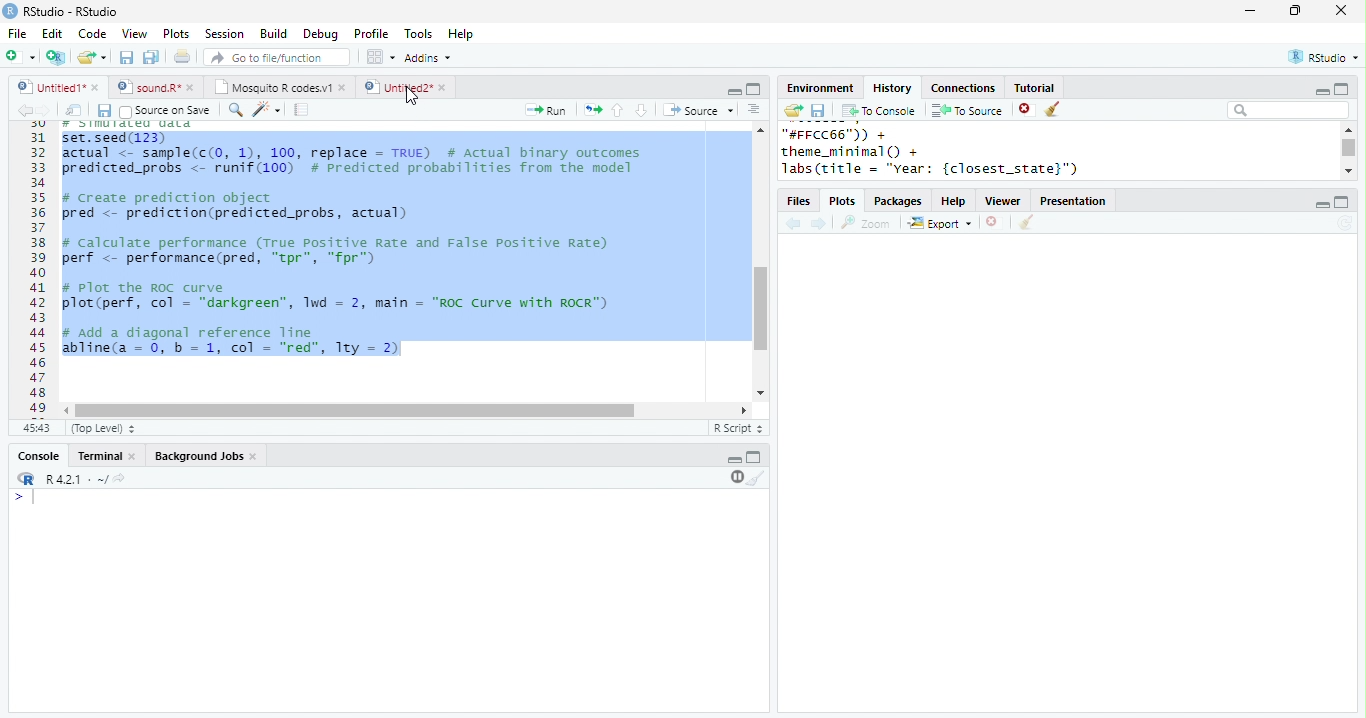  I want to click on close, so click(256, 457).